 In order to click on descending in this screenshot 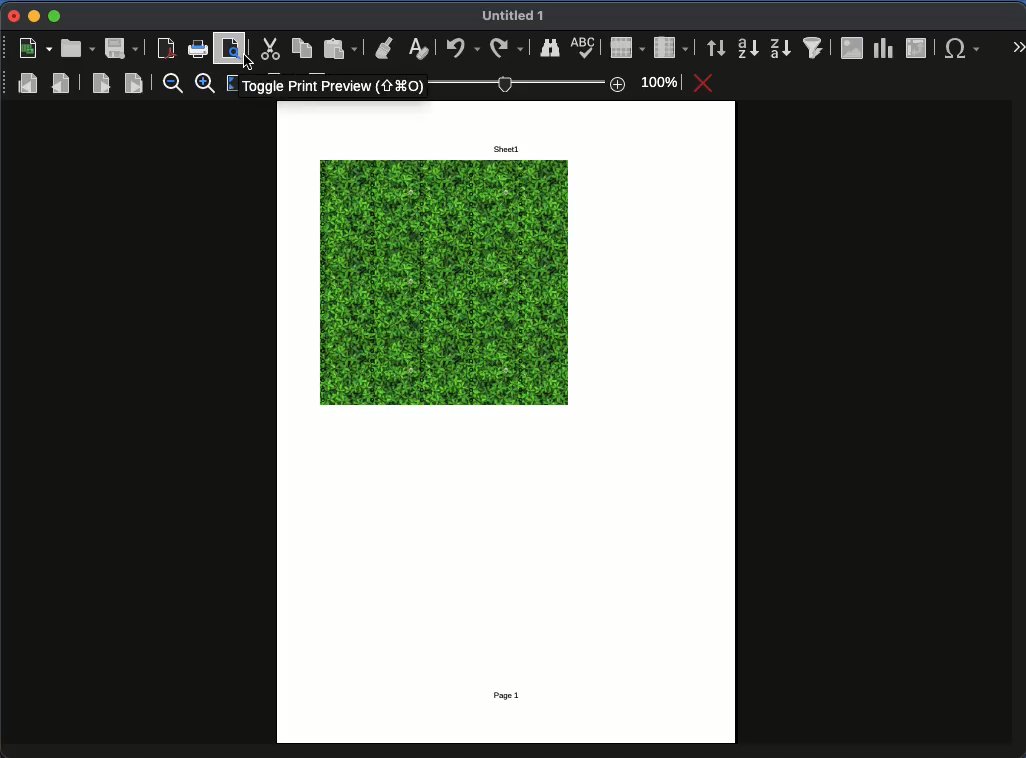, I will do `click(780, 48)`.